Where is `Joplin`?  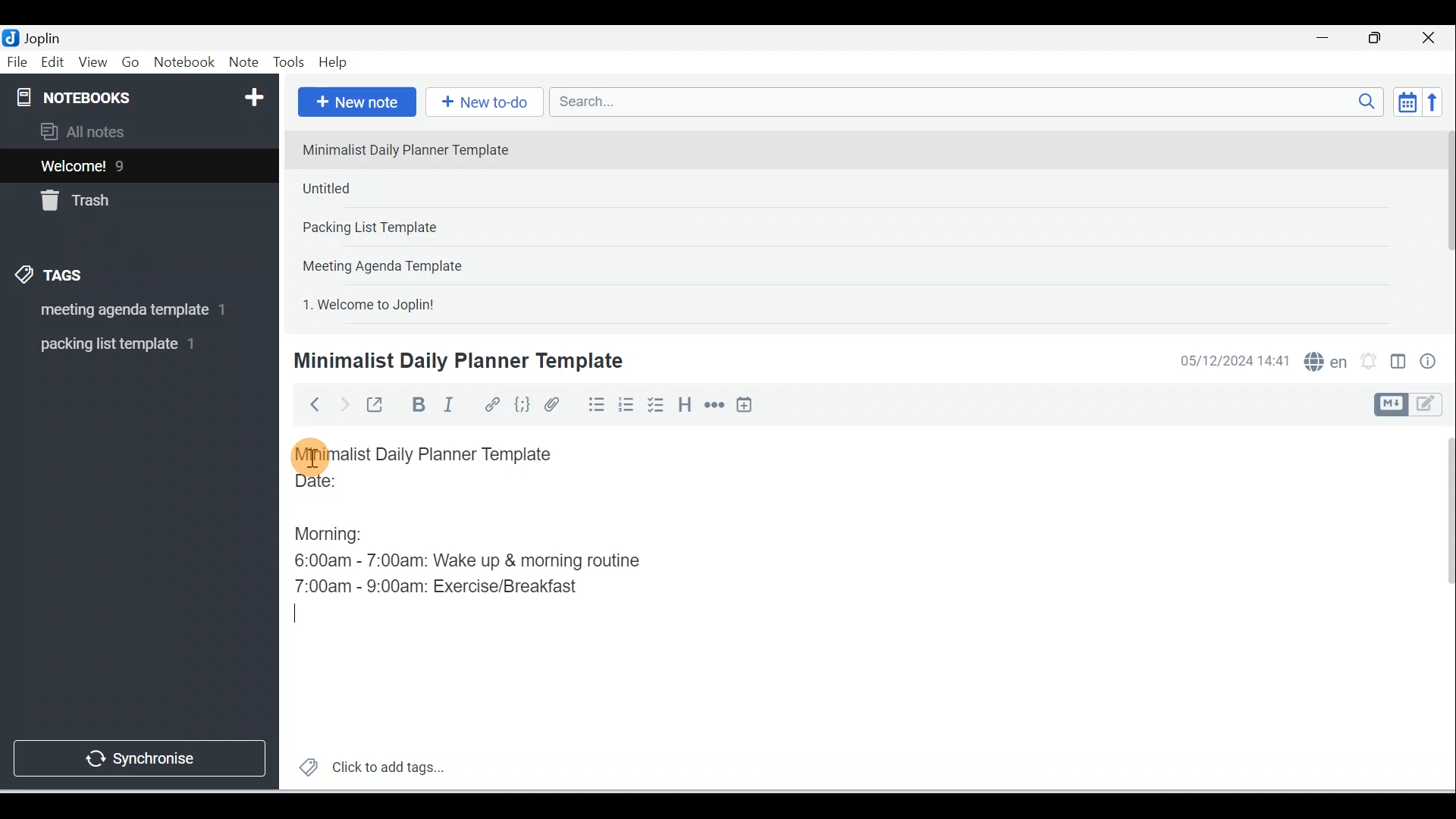
Joplin is located at coordinates (46, 36).